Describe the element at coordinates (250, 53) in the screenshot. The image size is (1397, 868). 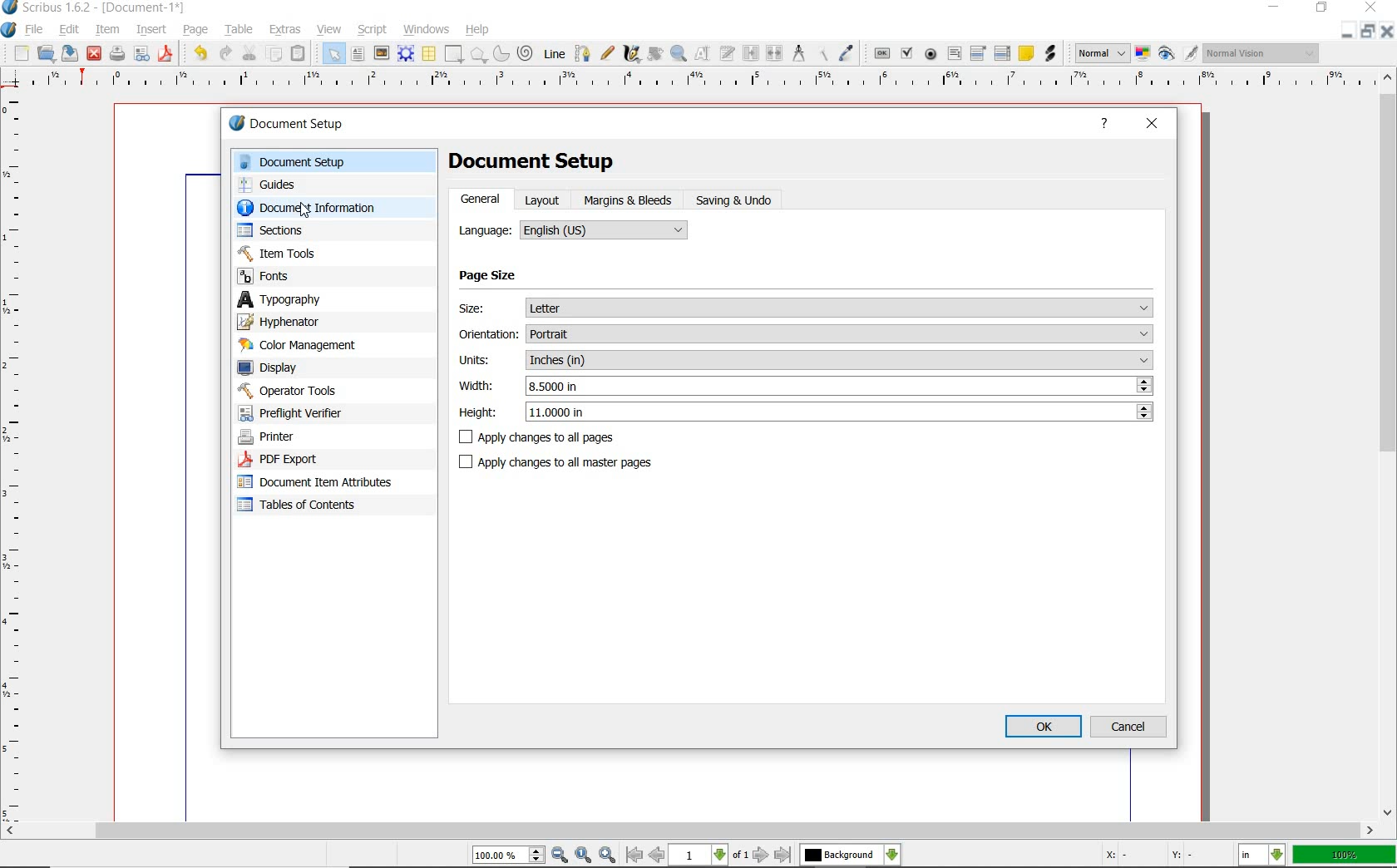
I see `cut` at that location.